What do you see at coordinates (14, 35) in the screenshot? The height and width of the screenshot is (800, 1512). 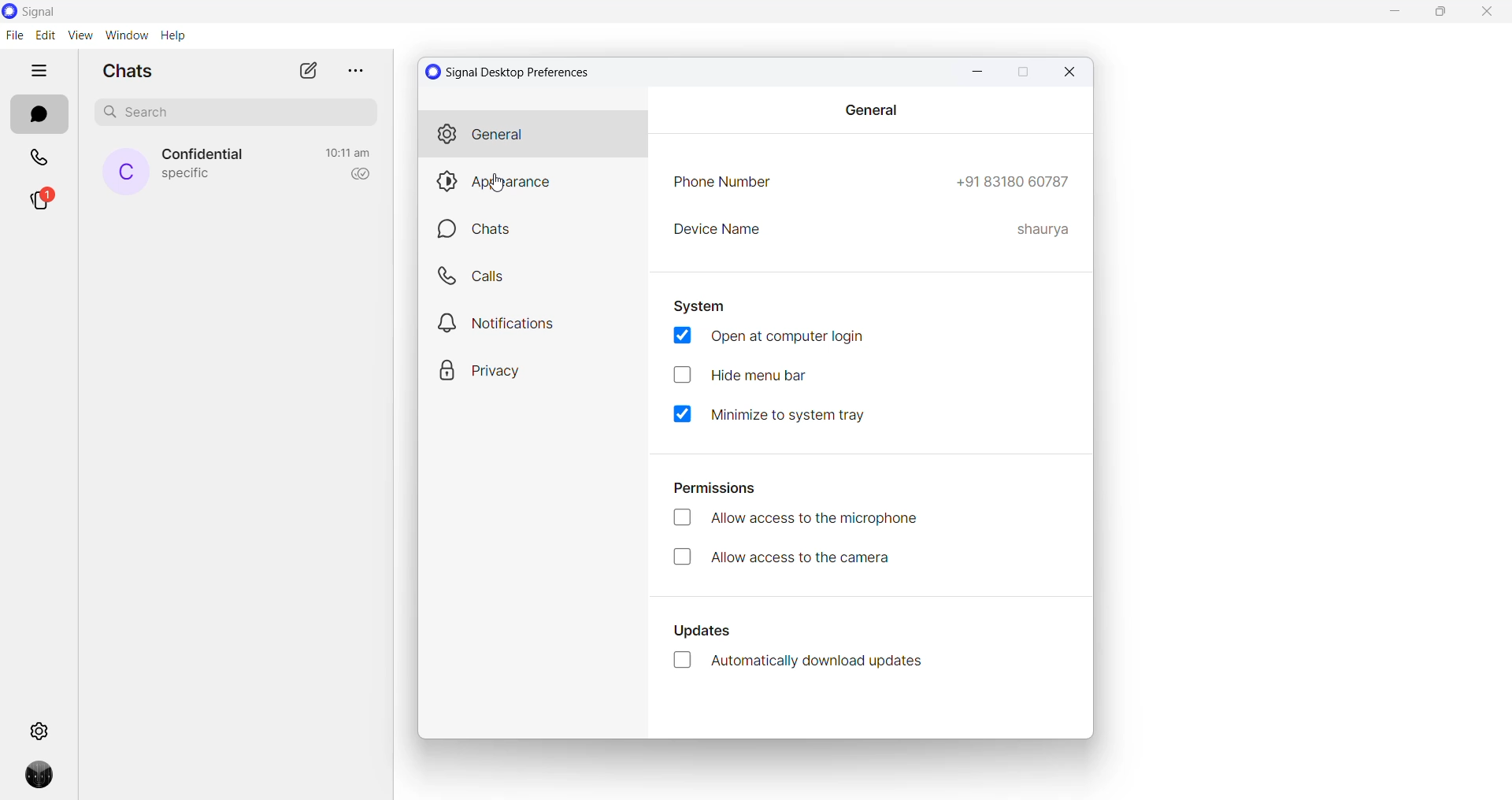 I see `file` at bounding box center [14, 35].